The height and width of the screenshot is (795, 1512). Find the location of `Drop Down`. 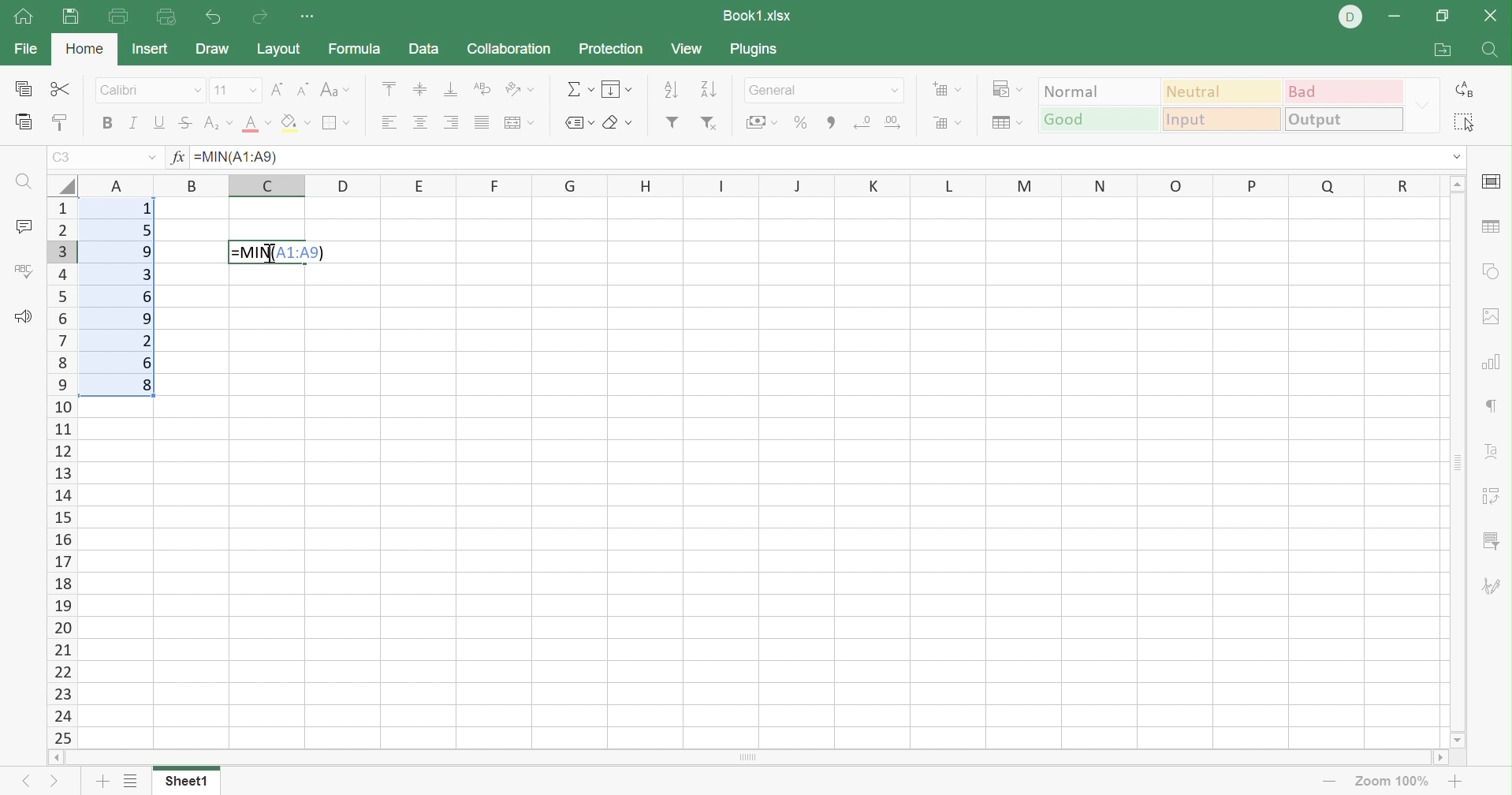

Drop Down is located at coordinates (250, 91).